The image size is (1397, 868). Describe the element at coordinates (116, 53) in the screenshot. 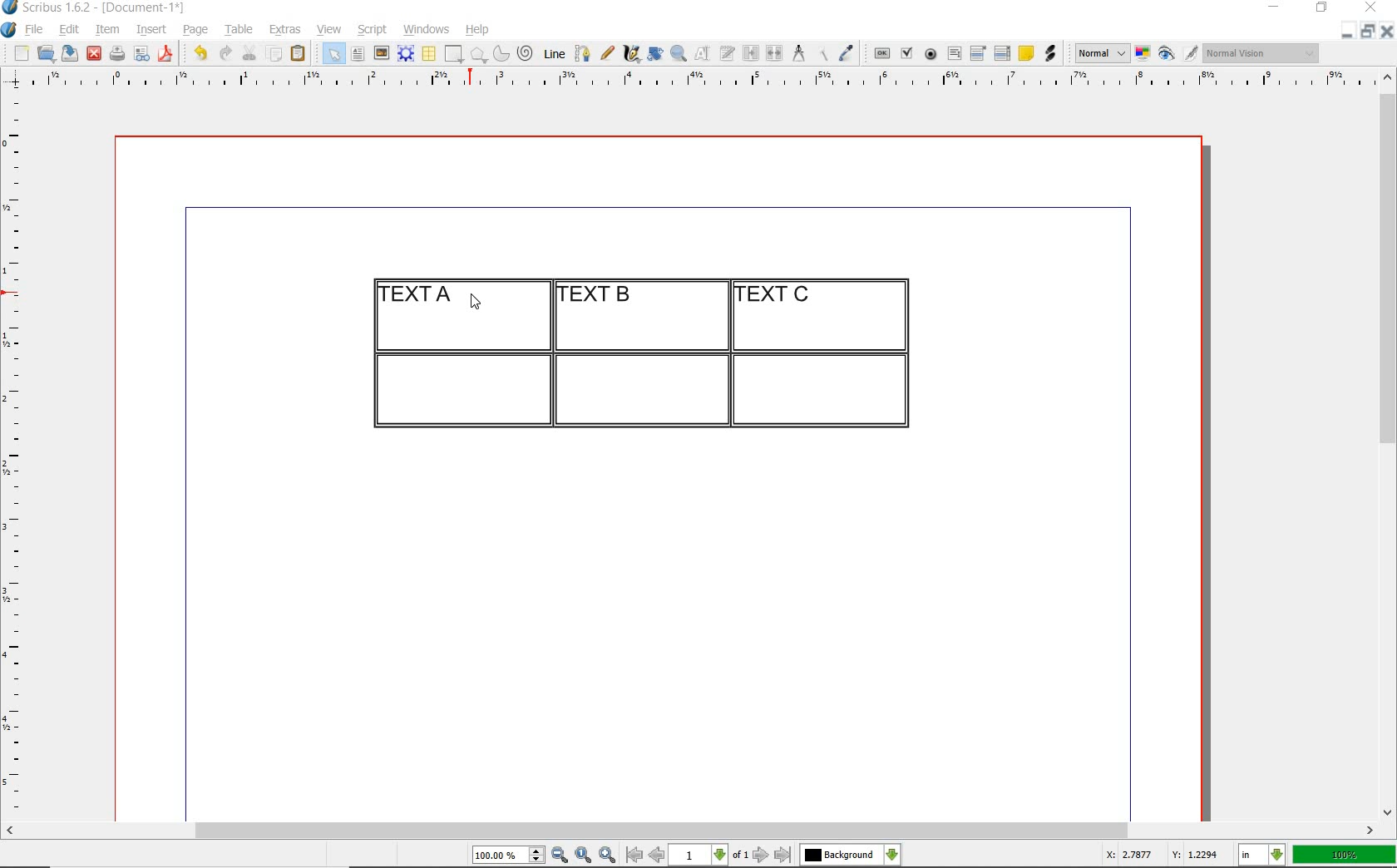

I see `print` at that location.